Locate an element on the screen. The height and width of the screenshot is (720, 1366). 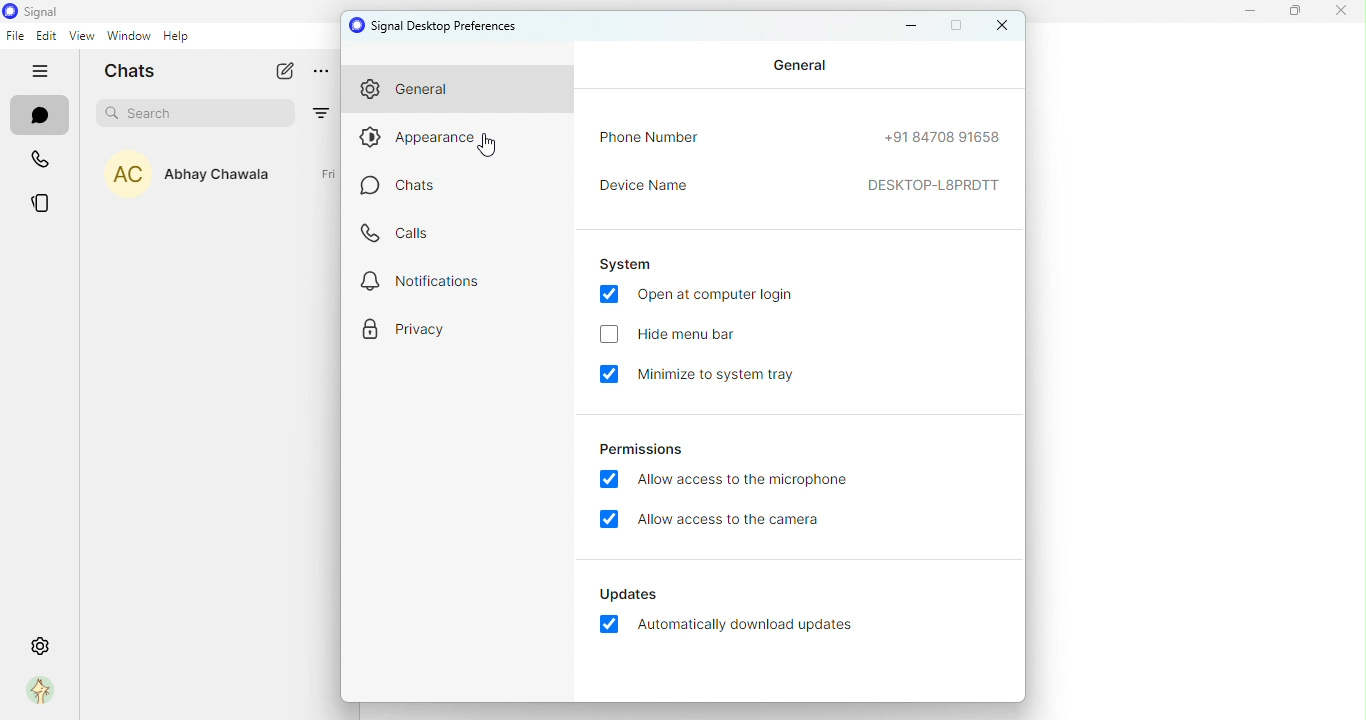
window is located at coordinates (127, 38).